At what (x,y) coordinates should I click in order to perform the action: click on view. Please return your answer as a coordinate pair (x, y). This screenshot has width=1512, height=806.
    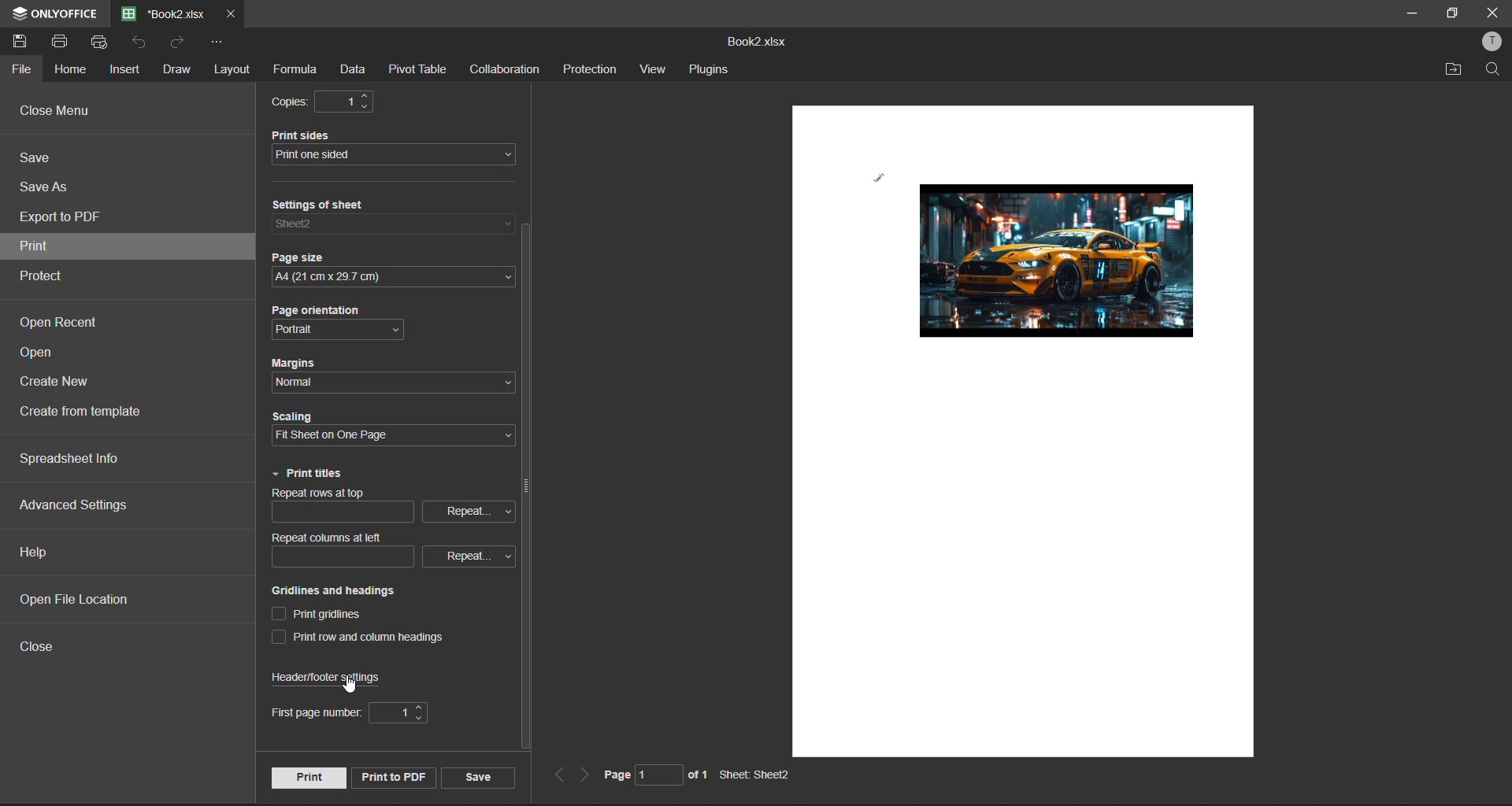
    Looking at the image, I should click on (652, 72).